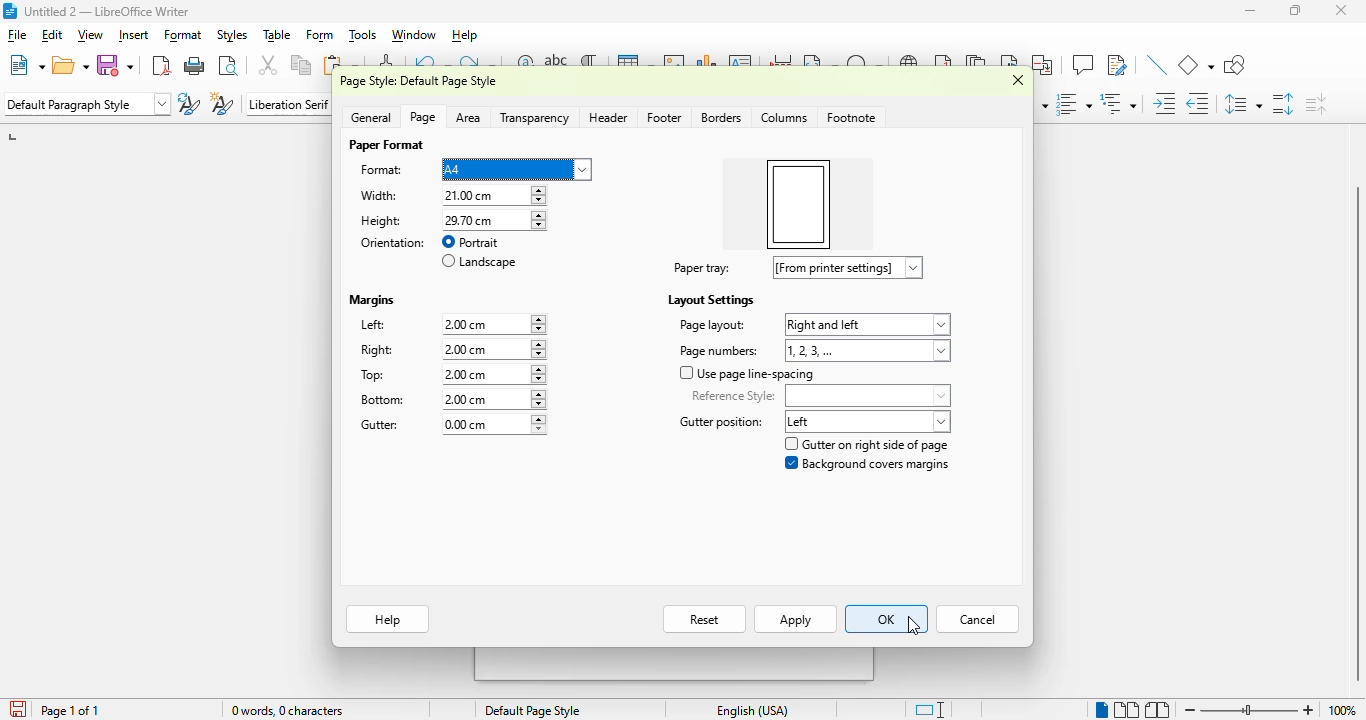  Describe the element at coordinates (710, 300) in the screenshot. I see `layout settings` at that location.